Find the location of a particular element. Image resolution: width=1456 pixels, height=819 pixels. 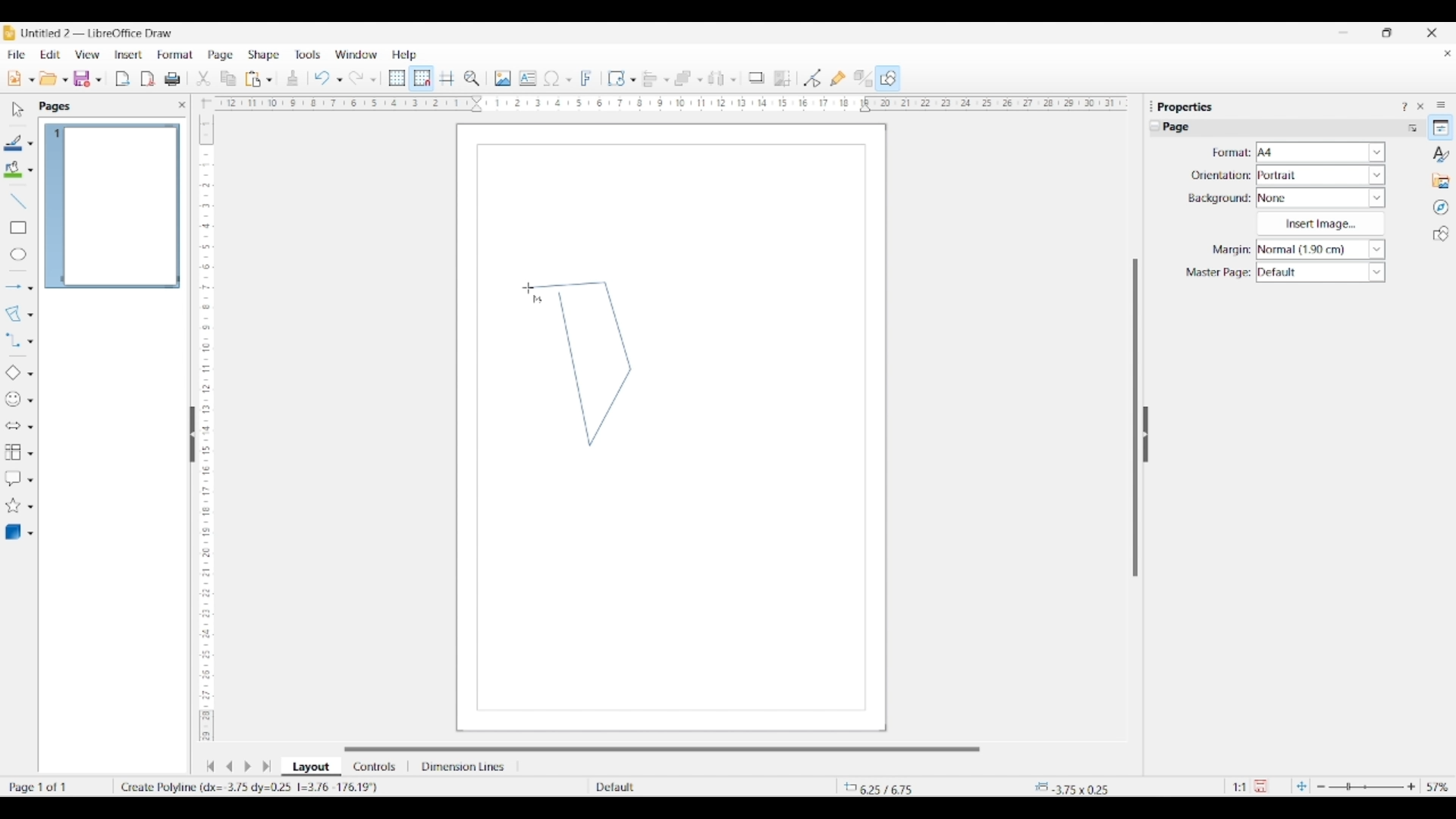

Callout shape options is located at coordinates (30, 480).